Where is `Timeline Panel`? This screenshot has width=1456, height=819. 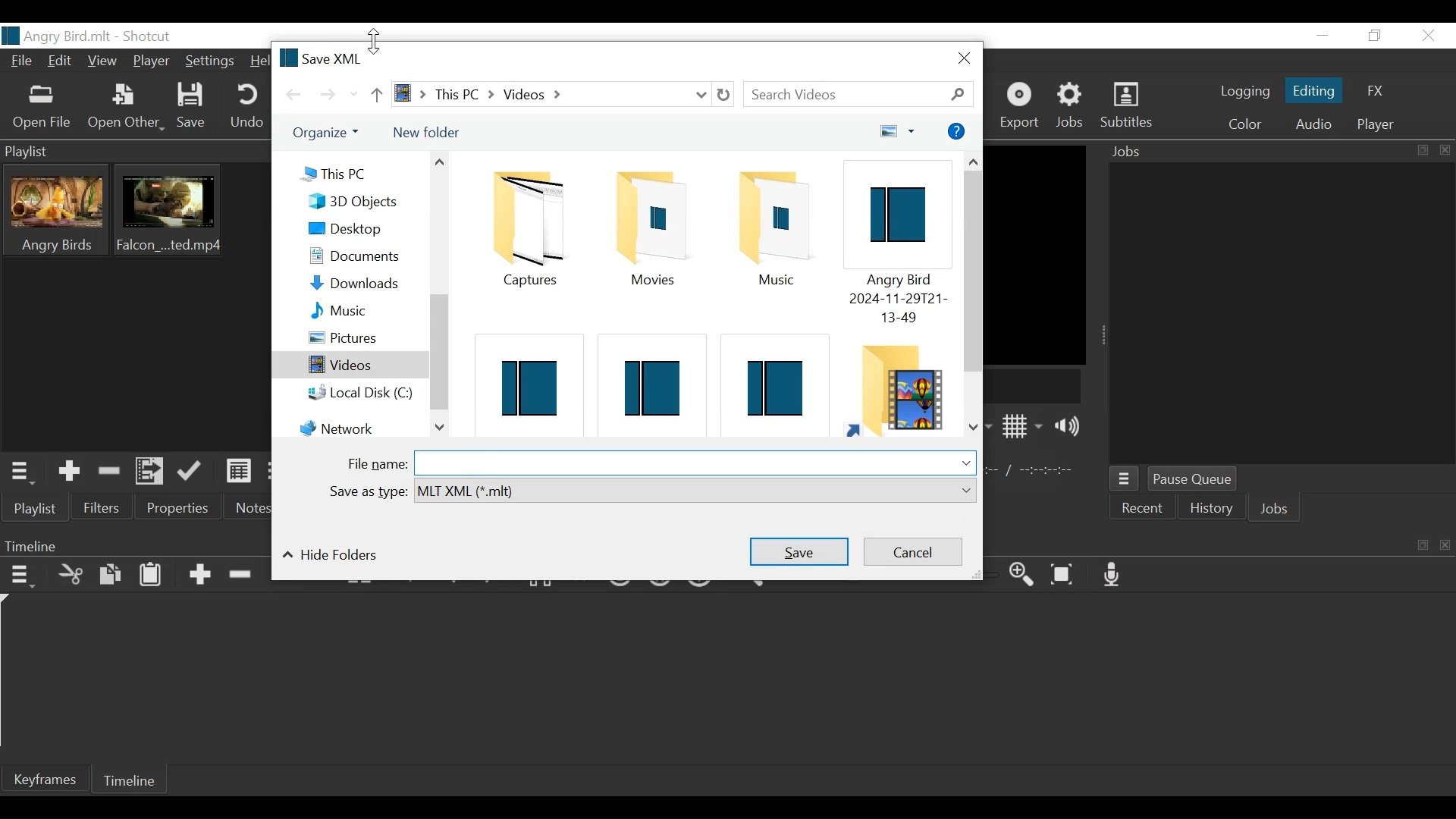 Timeline Panel is located at coordinates (1223, 543).